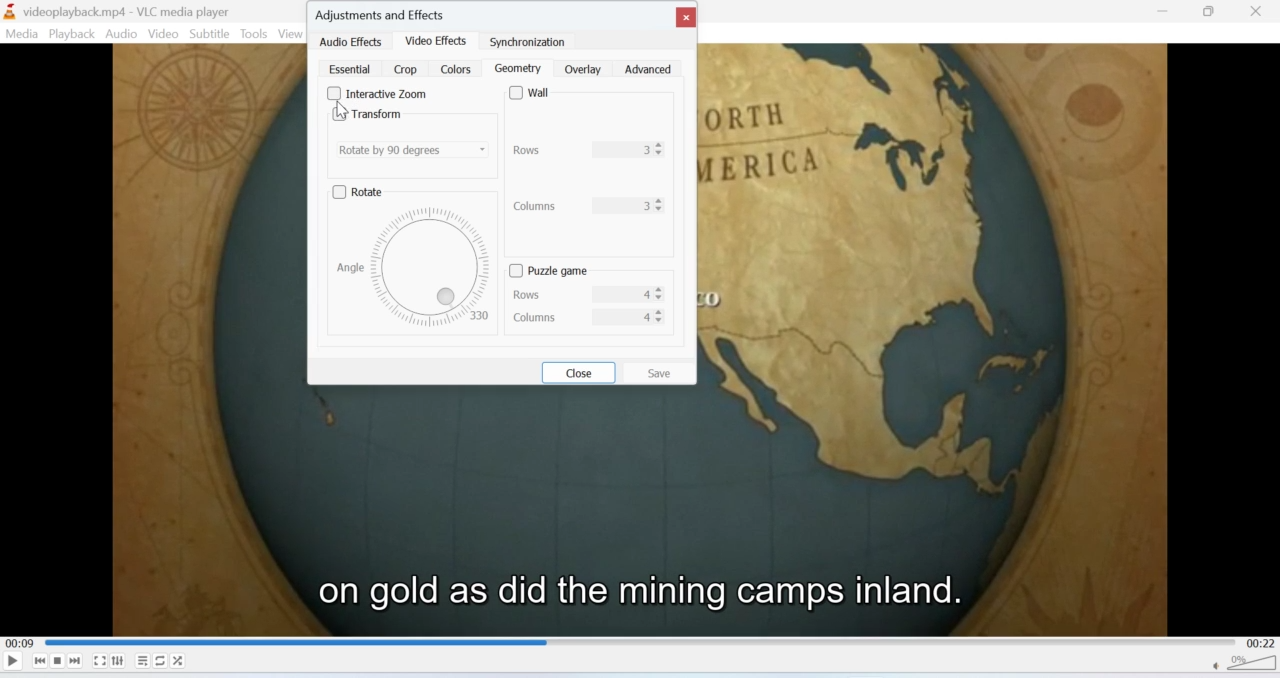 This screenshot has width=1280, height=678. I want to click on wall, so click(532, 94).